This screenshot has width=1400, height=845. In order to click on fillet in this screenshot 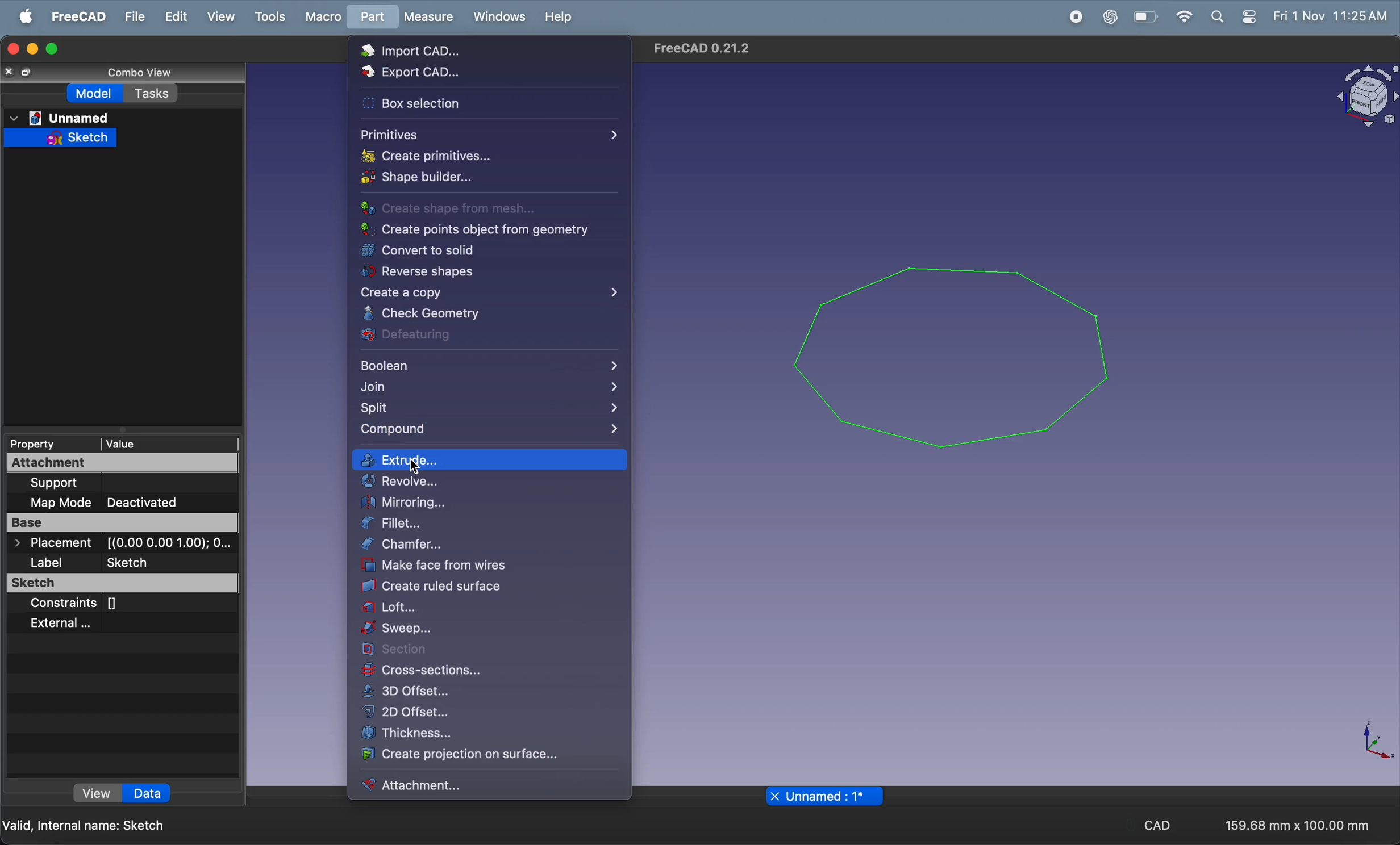, I will do `click(494, 525)`.